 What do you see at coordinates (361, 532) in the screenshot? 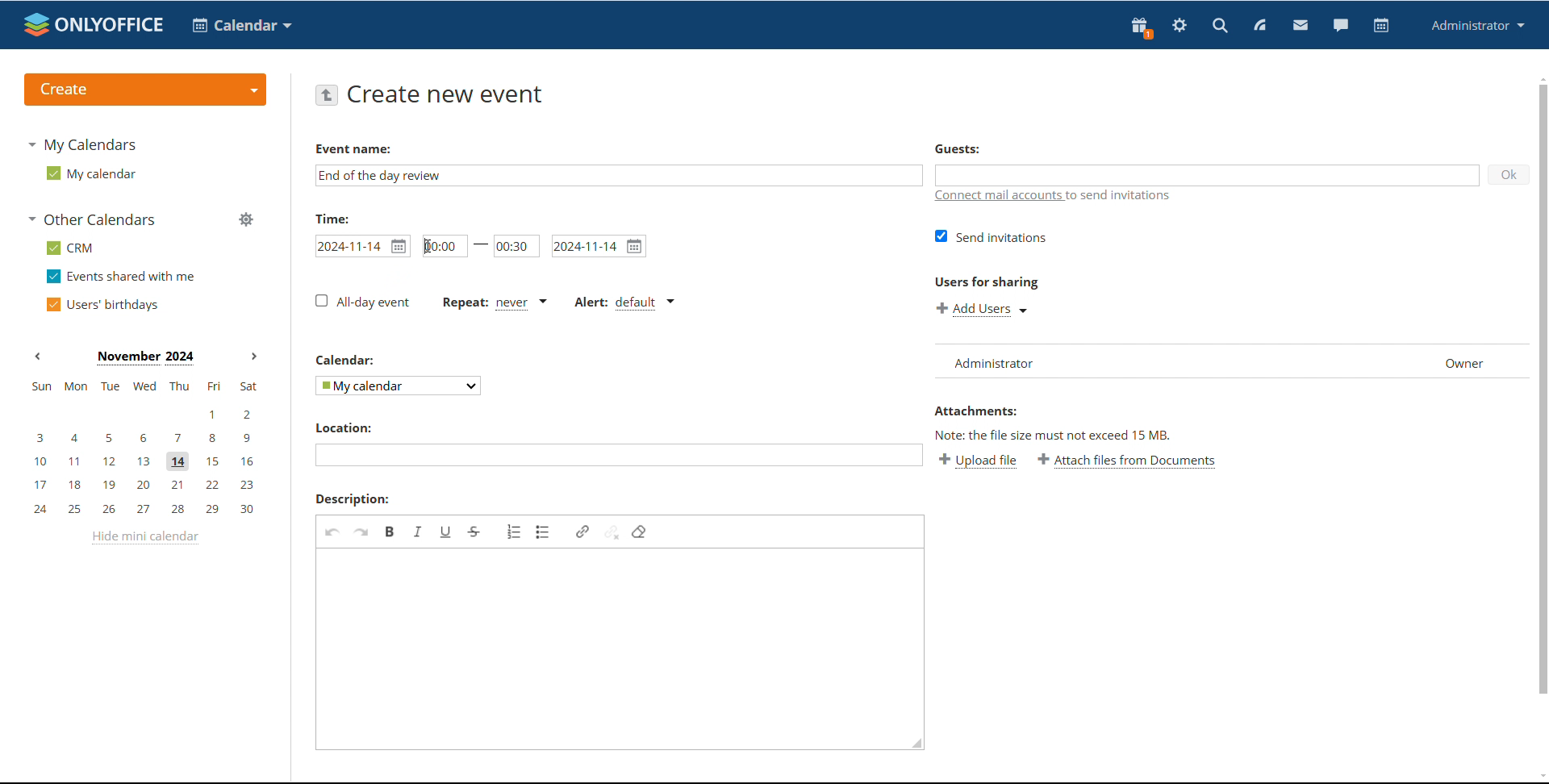
I see `redo` at bounding box center [361, 532].